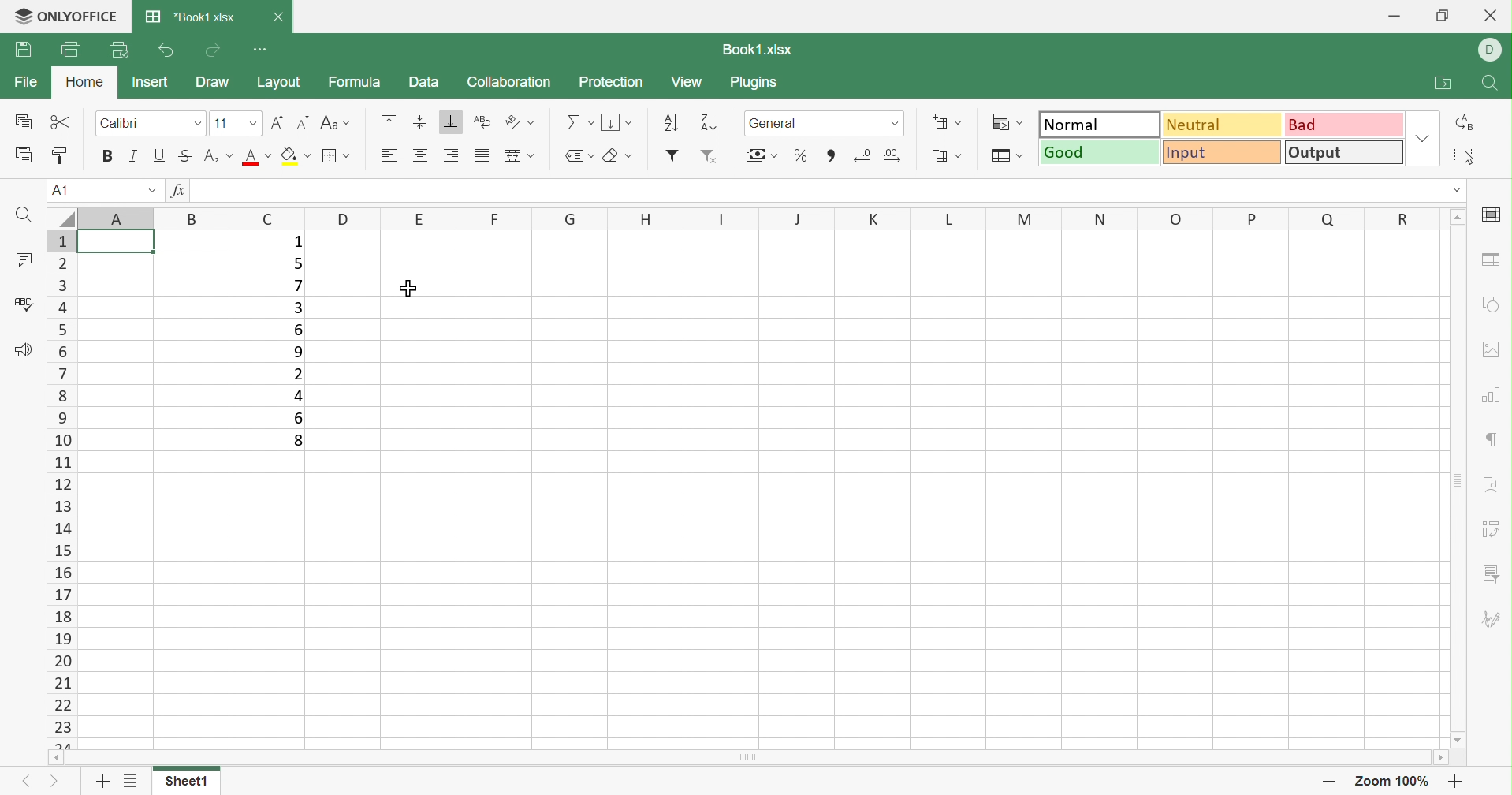 Image resolution: width=1512 pixels, height=795 pixels. What do you see at coordinates (741, 218) in the screenshot?
I see `Column names` at bounding box center [741, 218].